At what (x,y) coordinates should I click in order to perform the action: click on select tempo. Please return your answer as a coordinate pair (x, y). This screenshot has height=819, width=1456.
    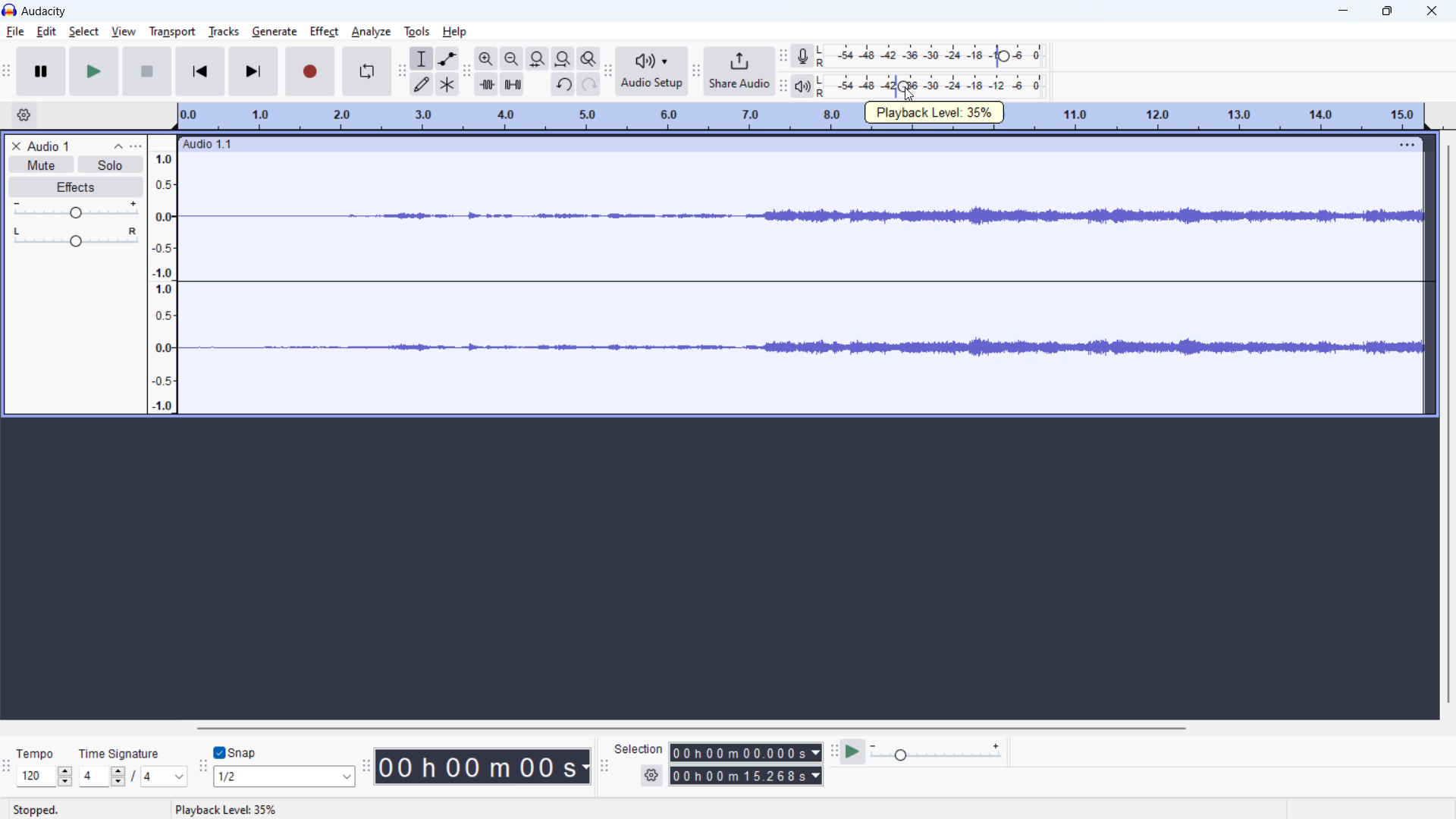
    Looking at the image, I should click on (45, 777).